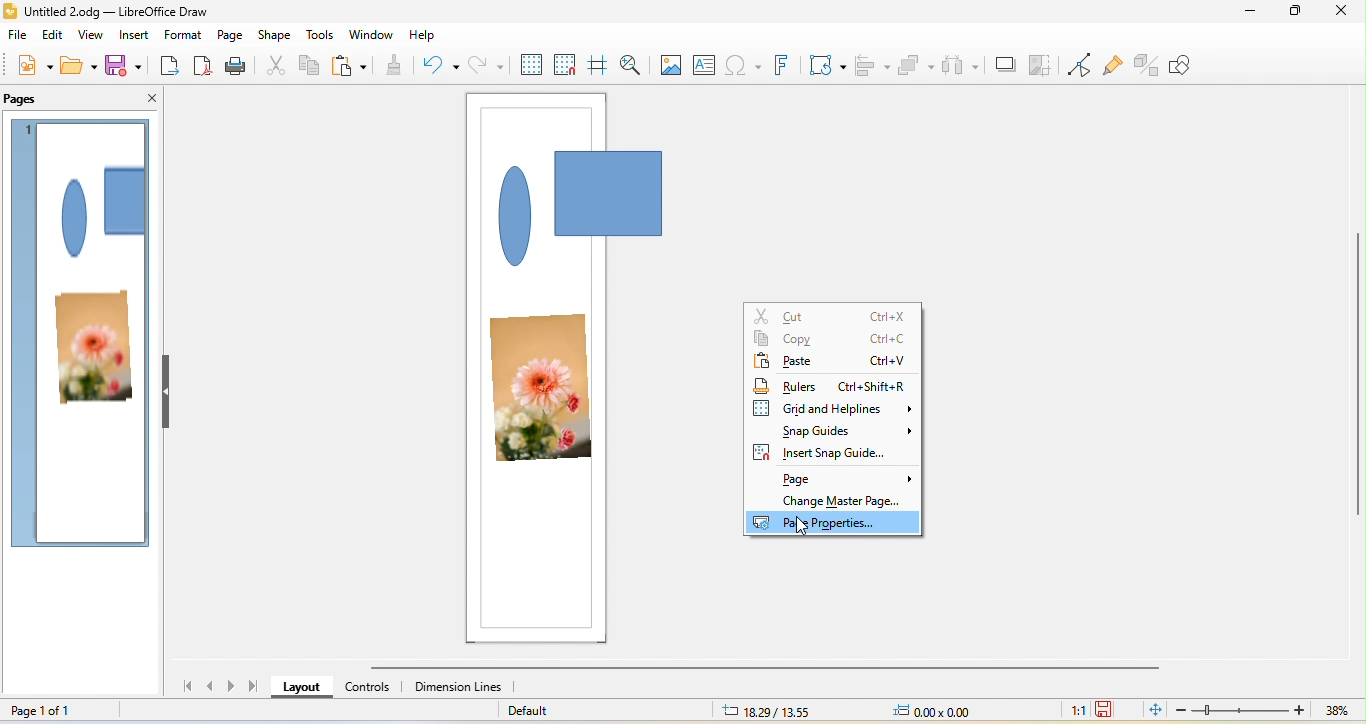 The height and width of the screenshot is (724, 1366). What do you see at coordinates (1294, 16) in the screenshot?
I see `maximize` at bounding box center [1294, 16].